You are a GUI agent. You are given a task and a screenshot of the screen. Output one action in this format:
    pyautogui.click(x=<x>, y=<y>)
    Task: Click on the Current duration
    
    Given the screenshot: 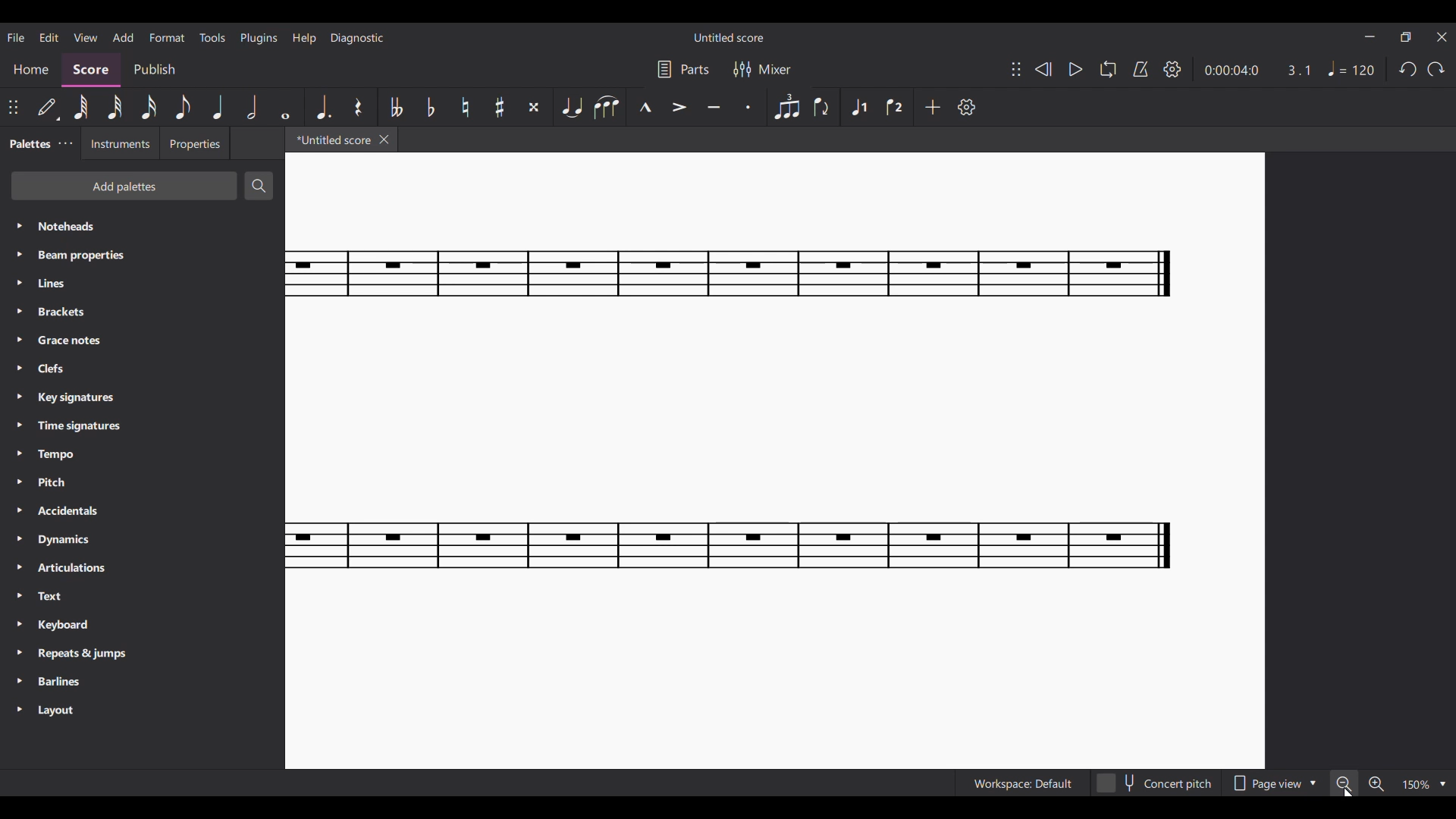 What is the action you would take?
    pyautogui.click(x=1230, y=70)
    